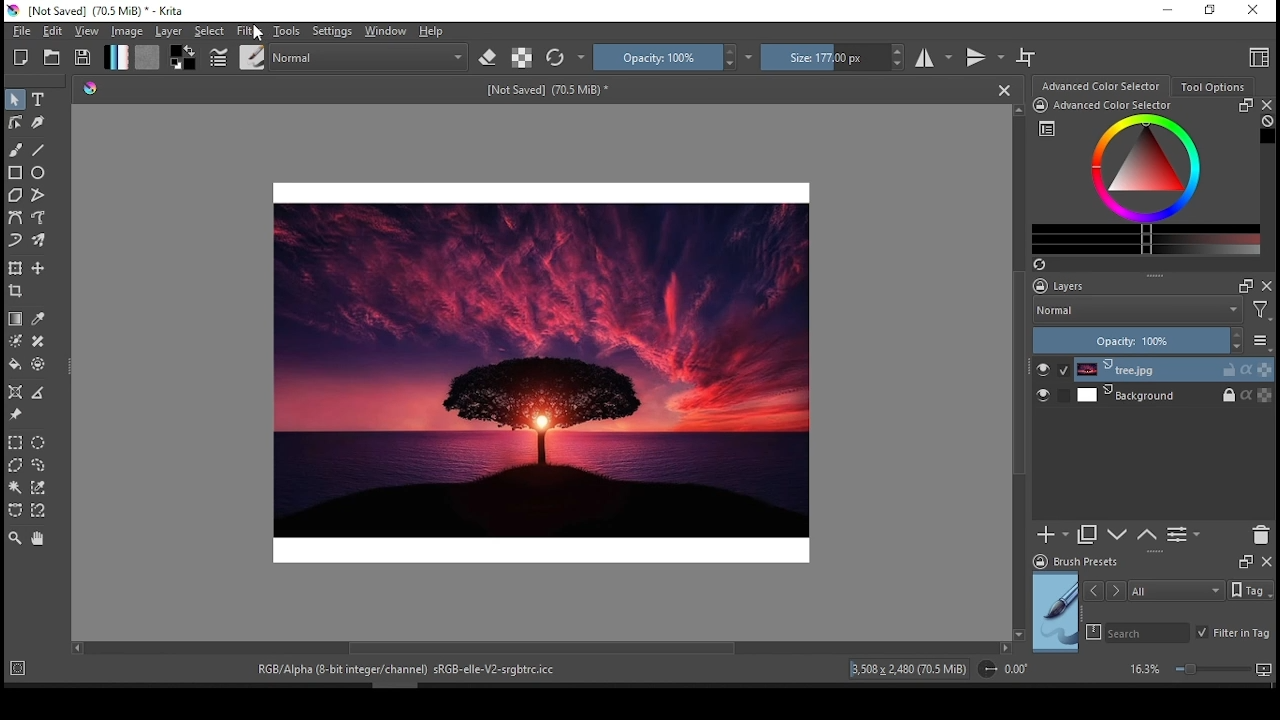 This screenshot has width=1280, height=720. Describe the element at coordinates (17, 511) in the screenshot. I see `bezier curve selection tool` at that location.